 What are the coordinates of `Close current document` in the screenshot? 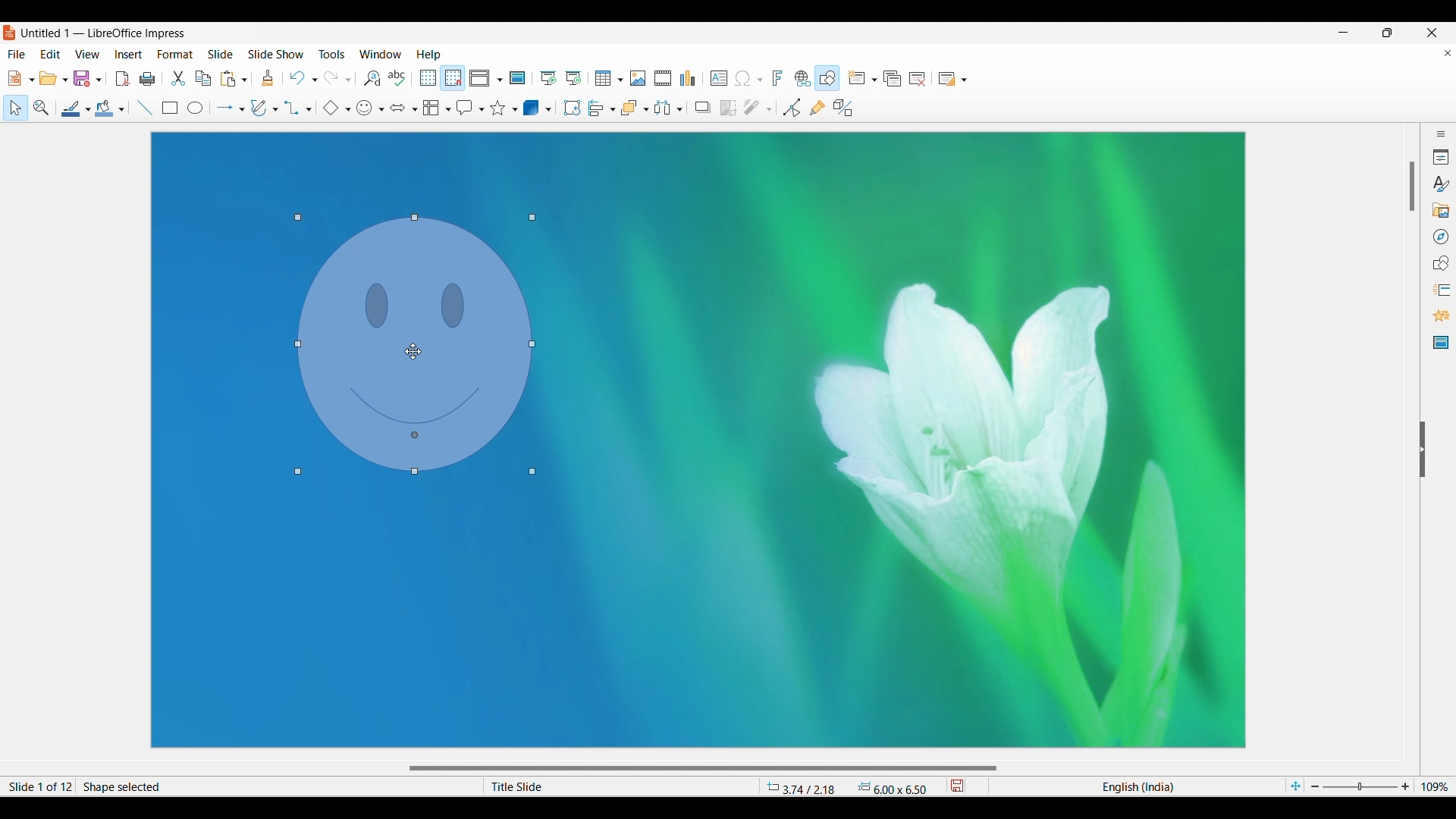 It's located at (1448, 53).